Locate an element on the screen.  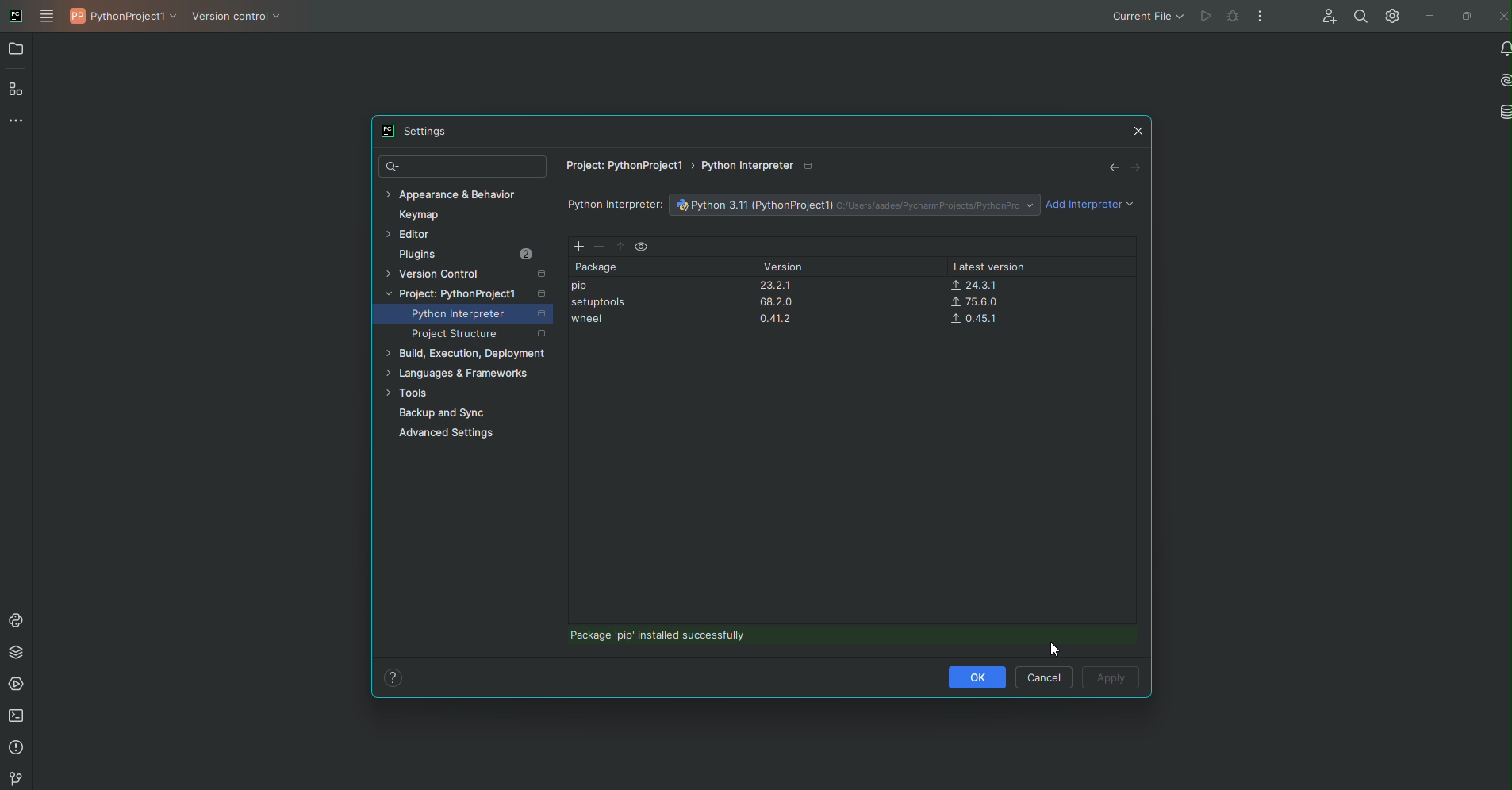
Add is located at coordinates (577, 247).